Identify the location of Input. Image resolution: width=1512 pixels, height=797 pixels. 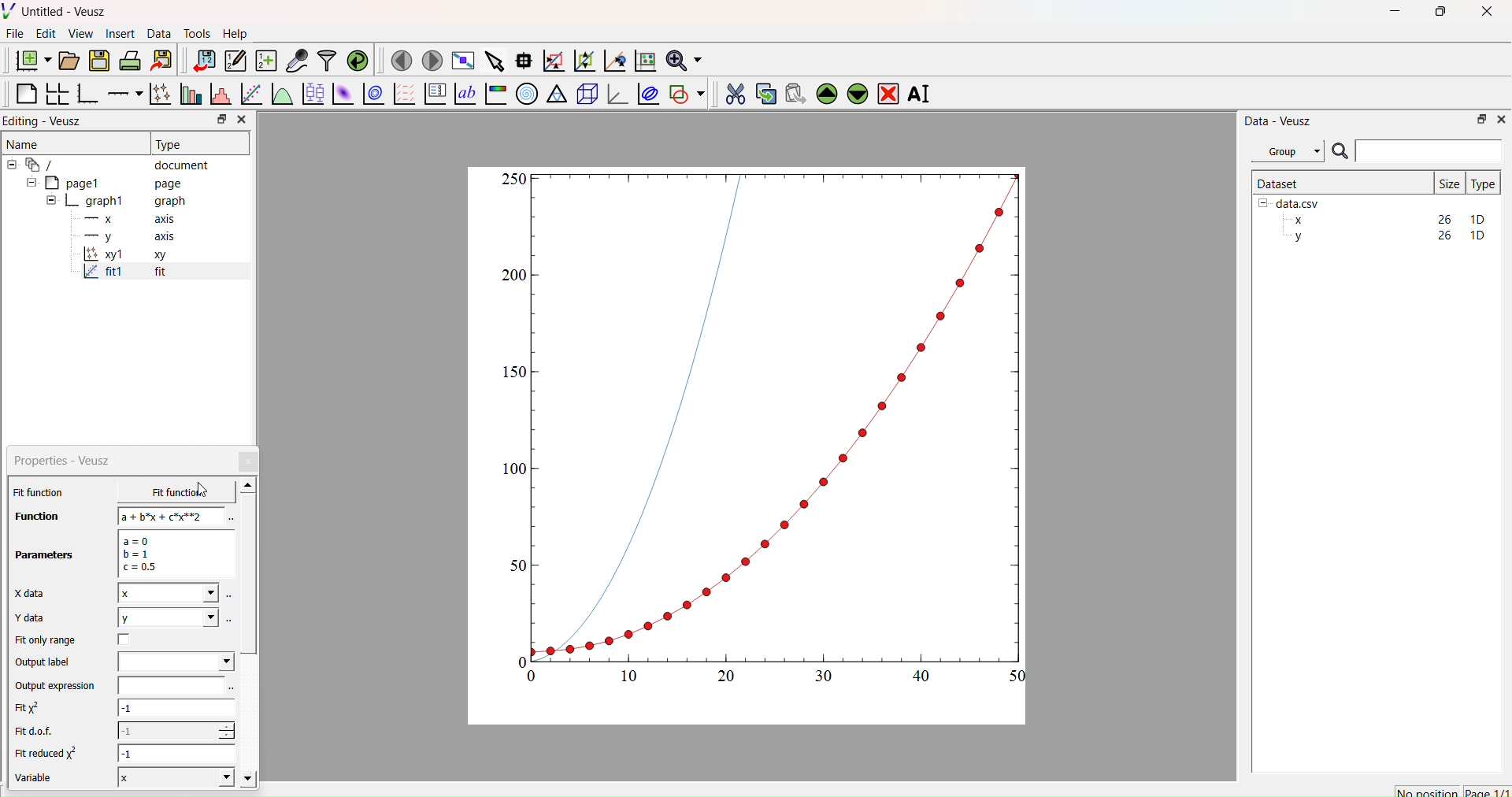
(1429, 150).